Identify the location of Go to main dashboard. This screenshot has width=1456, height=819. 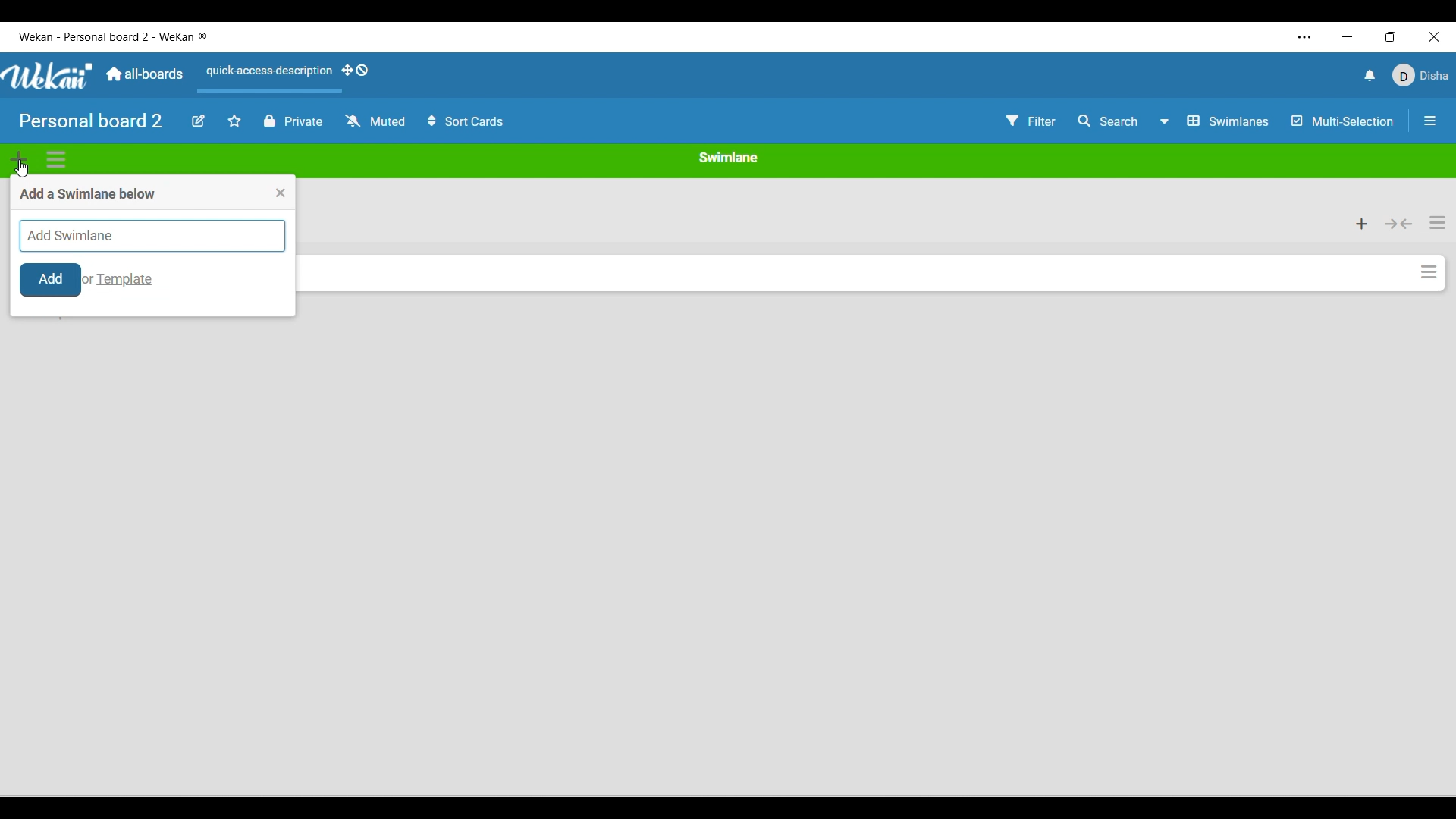
(145, 74).